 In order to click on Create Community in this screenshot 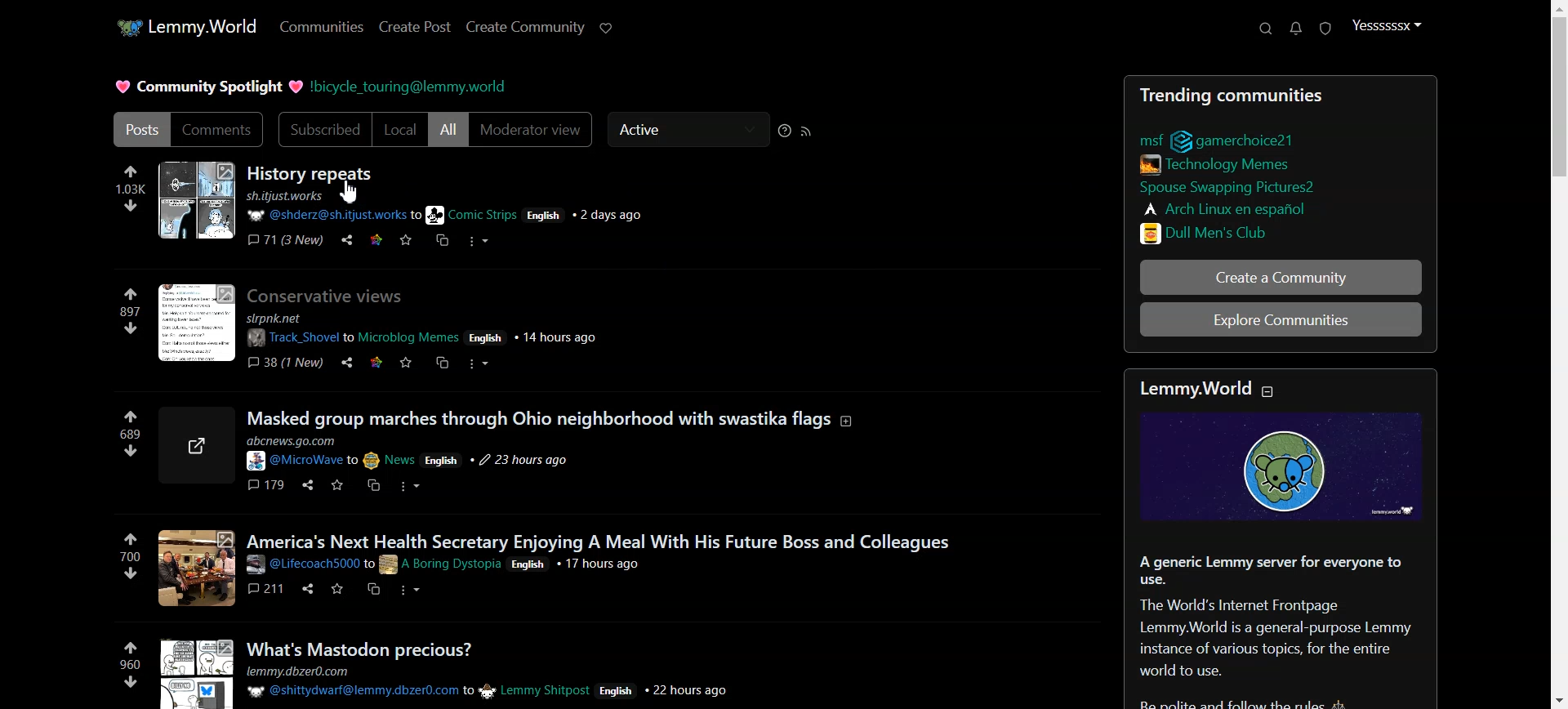, I will do `click(526, 28)`.